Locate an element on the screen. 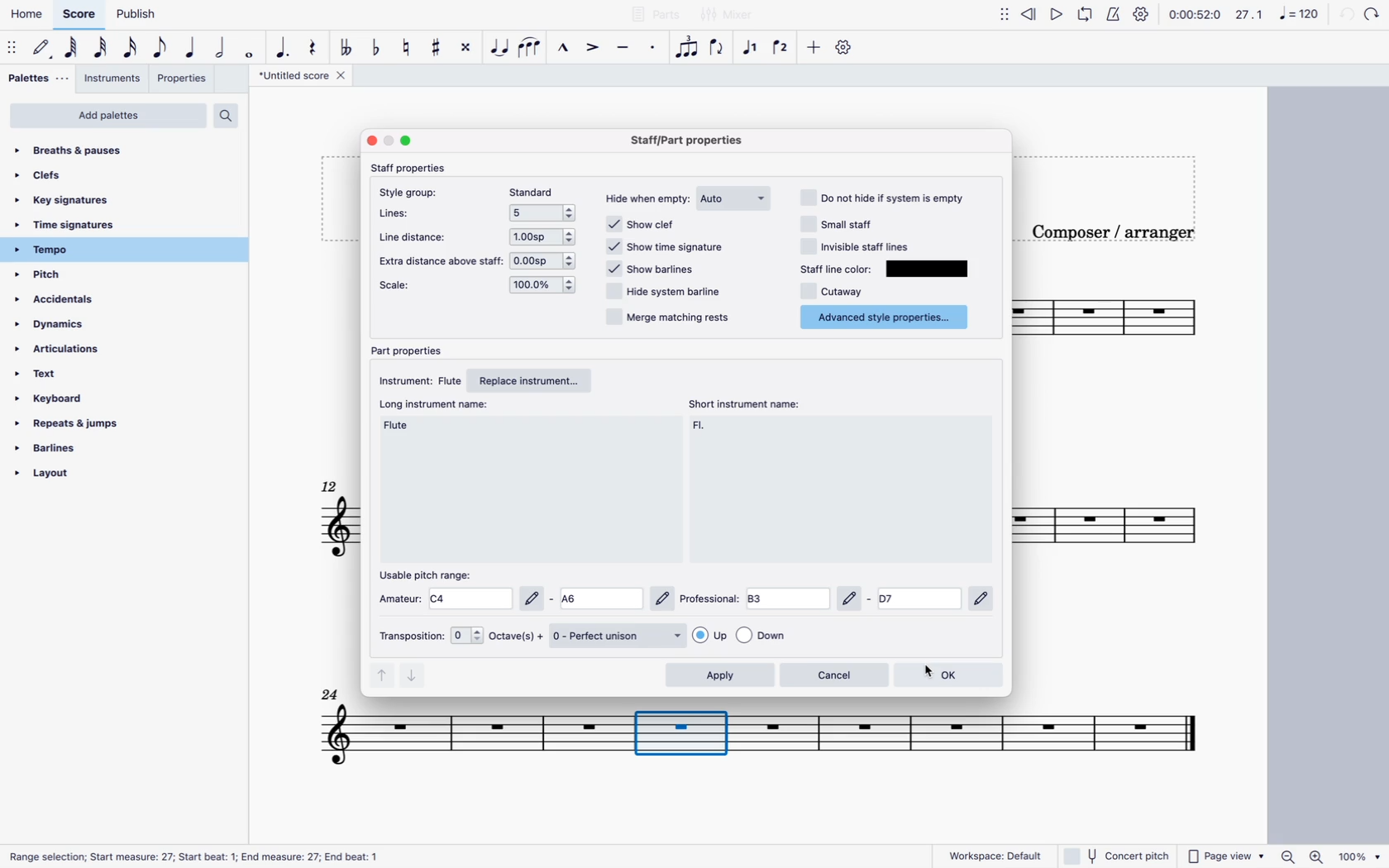 This screenshot has width=1389, height=868. replace instrument is located at coordinates (537, 380).